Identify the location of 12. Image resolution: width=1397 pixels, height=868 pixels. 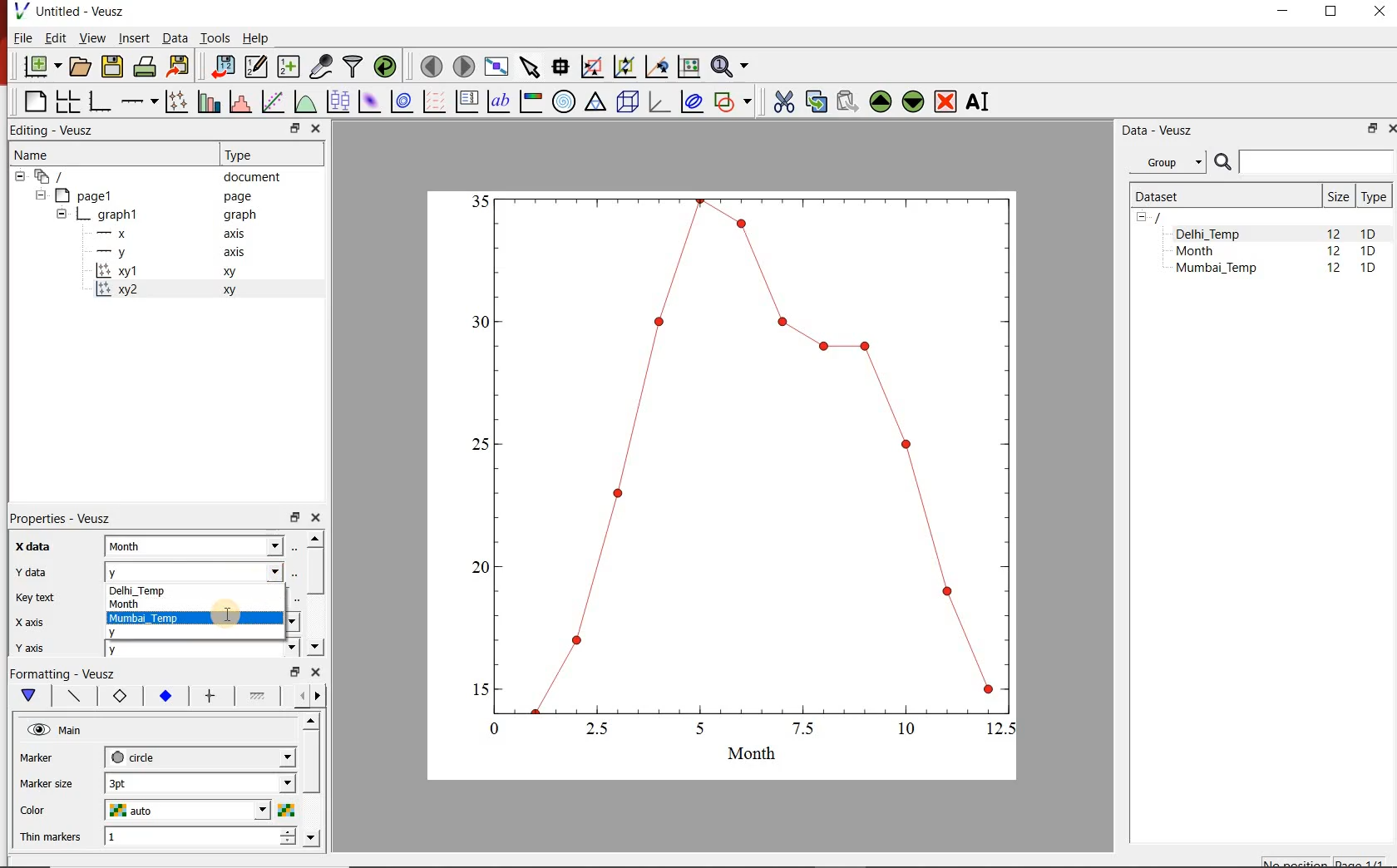
(1334, 253).